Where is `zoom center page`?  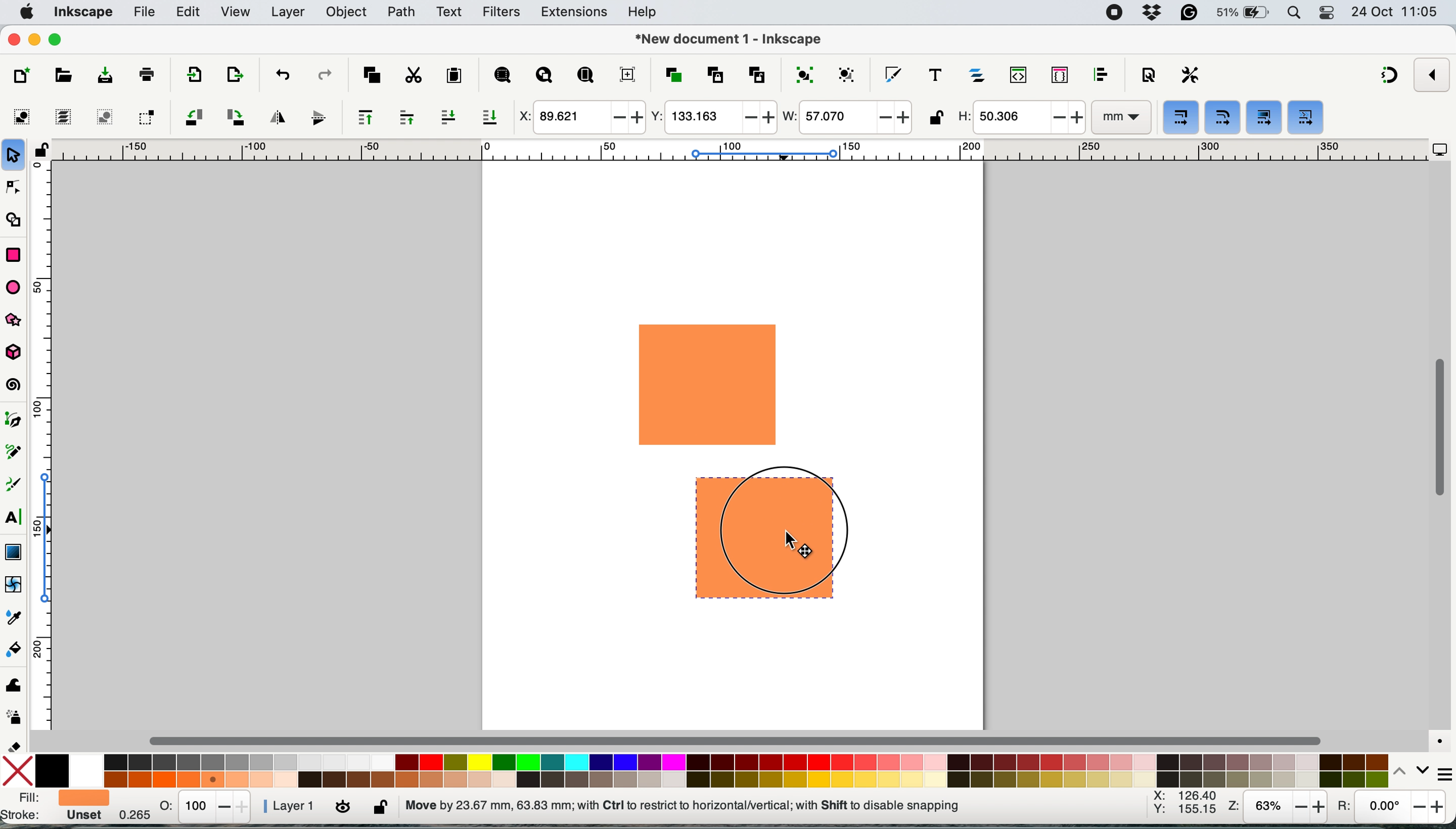
zoom center page is located at coordinates (627, 74).